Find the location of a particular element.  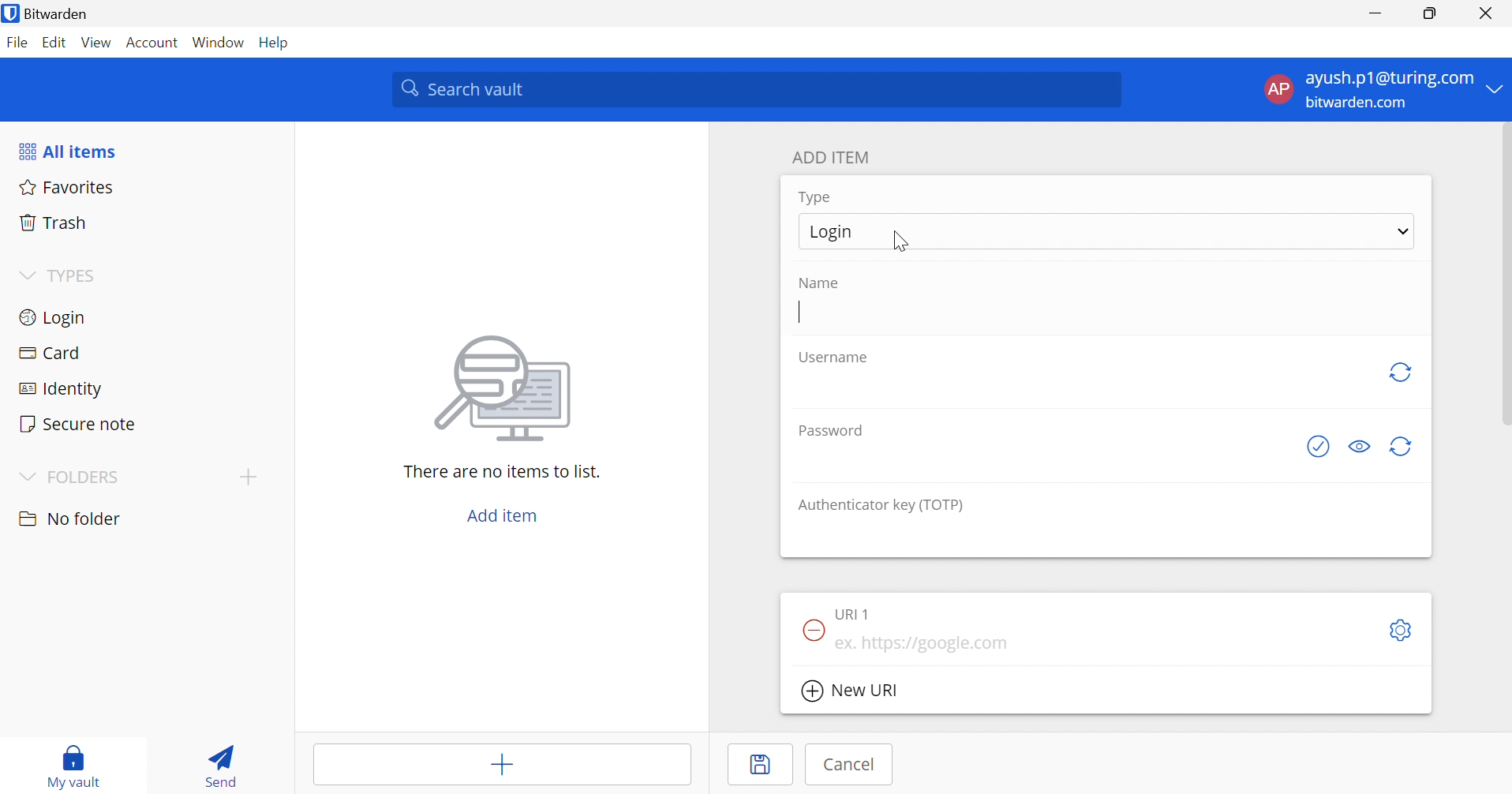

Favourites is located at coordinates (69, 189).